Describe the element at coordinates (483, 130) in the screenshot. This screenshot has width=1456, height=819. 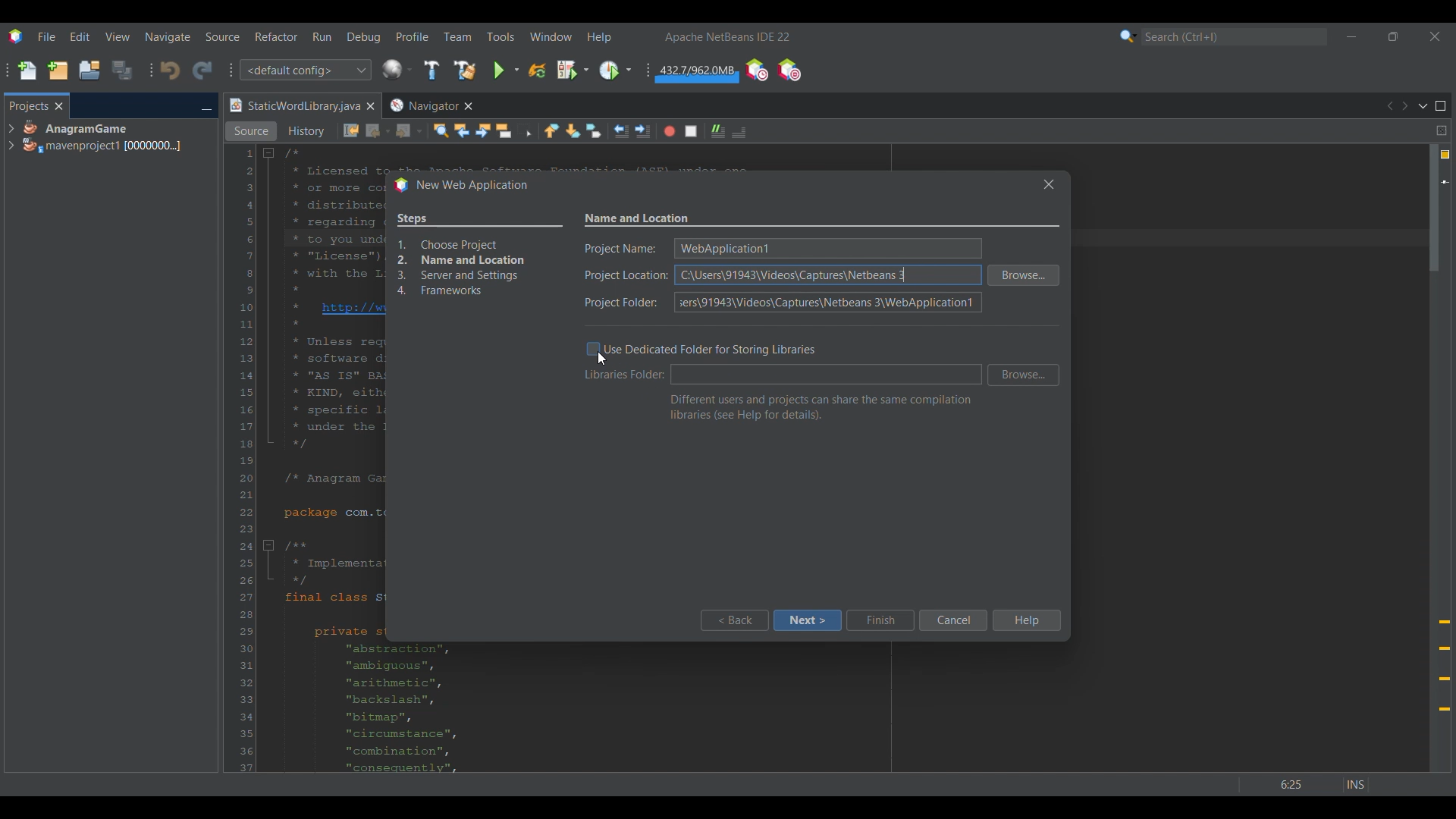
I see `Find next occurrence` at that location.